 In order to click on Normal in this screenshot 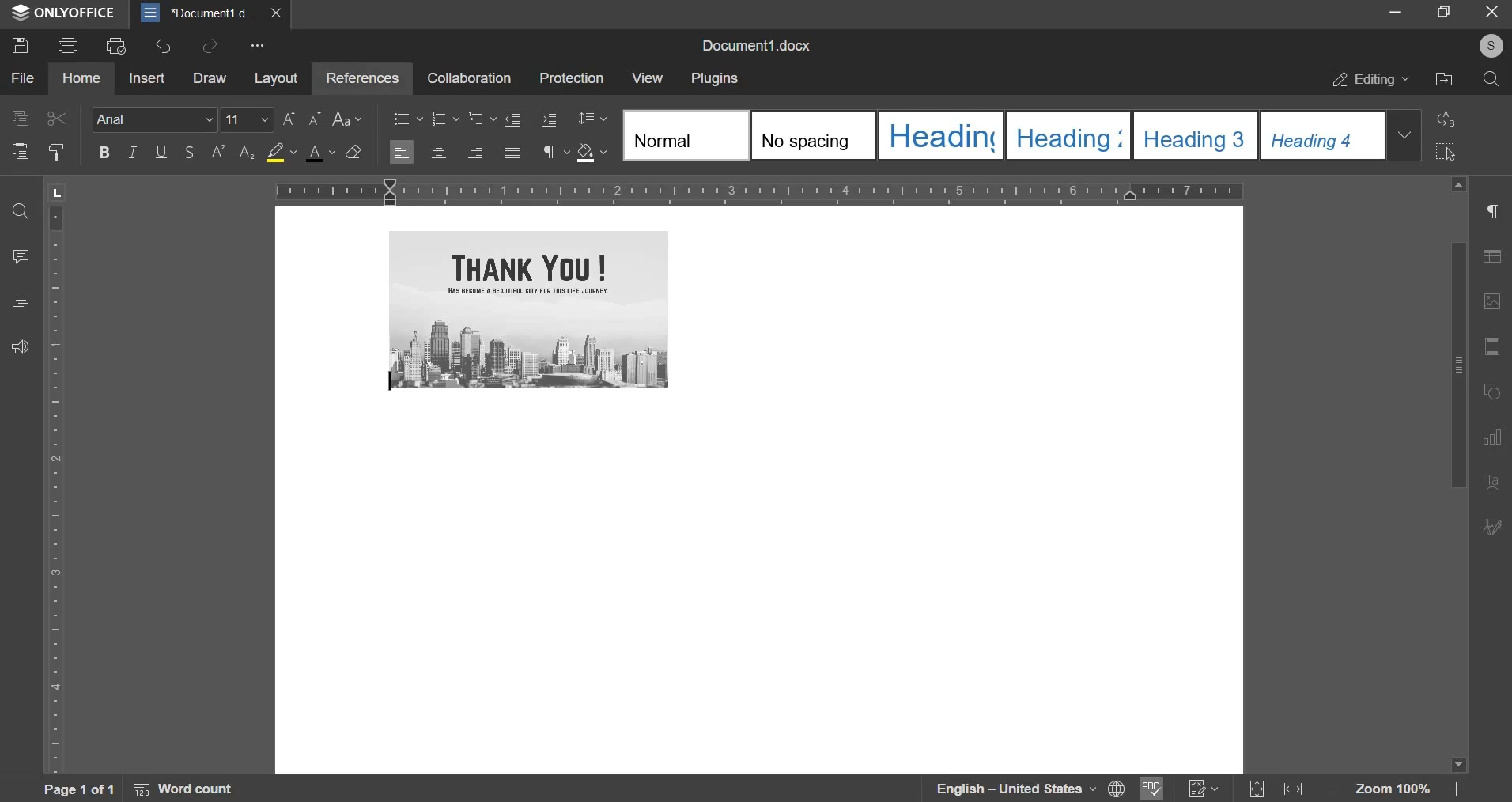, I will do `click(684, 134)`.